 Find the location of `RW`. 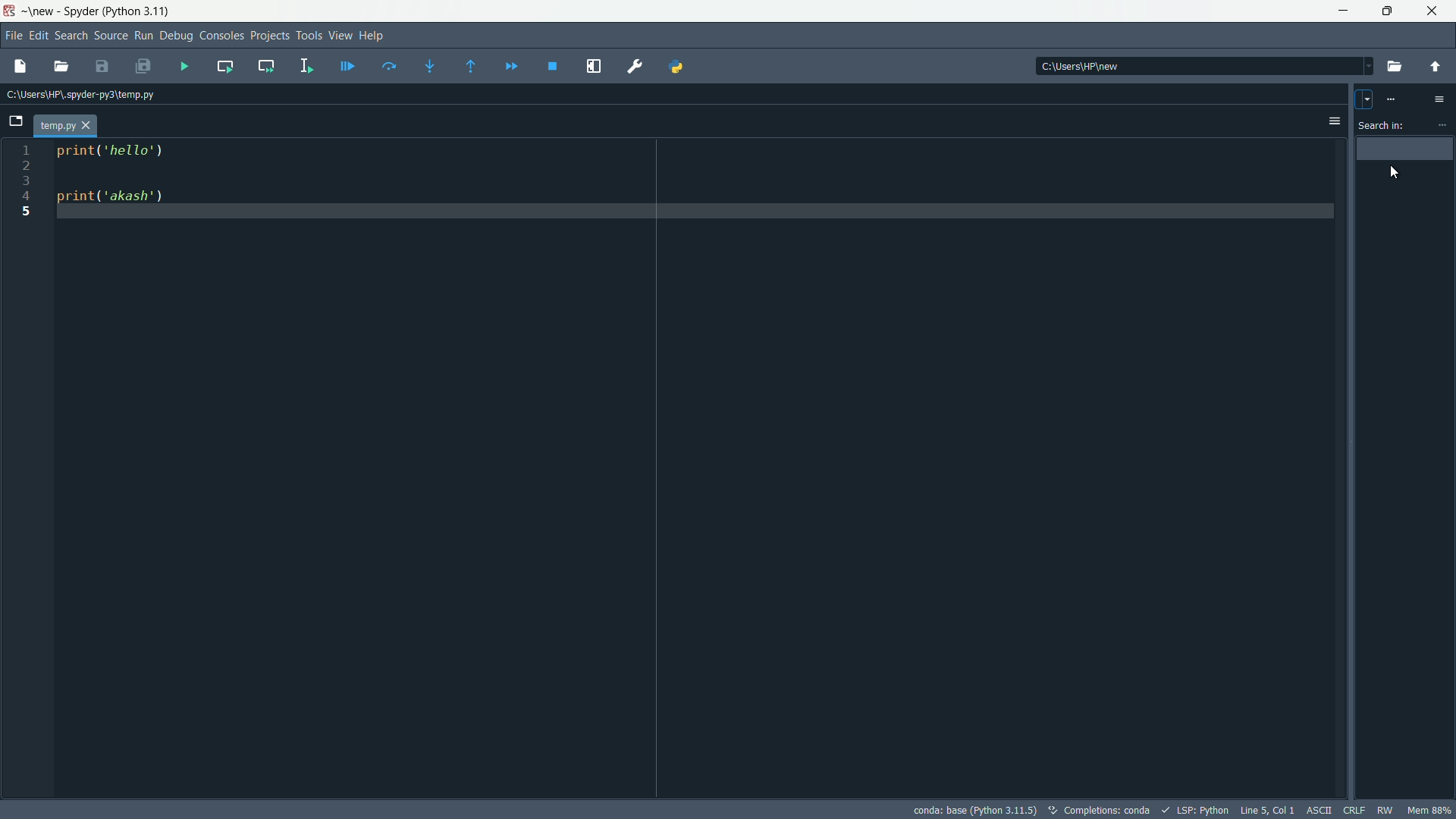

RW is located at coordinates (1385, 810).